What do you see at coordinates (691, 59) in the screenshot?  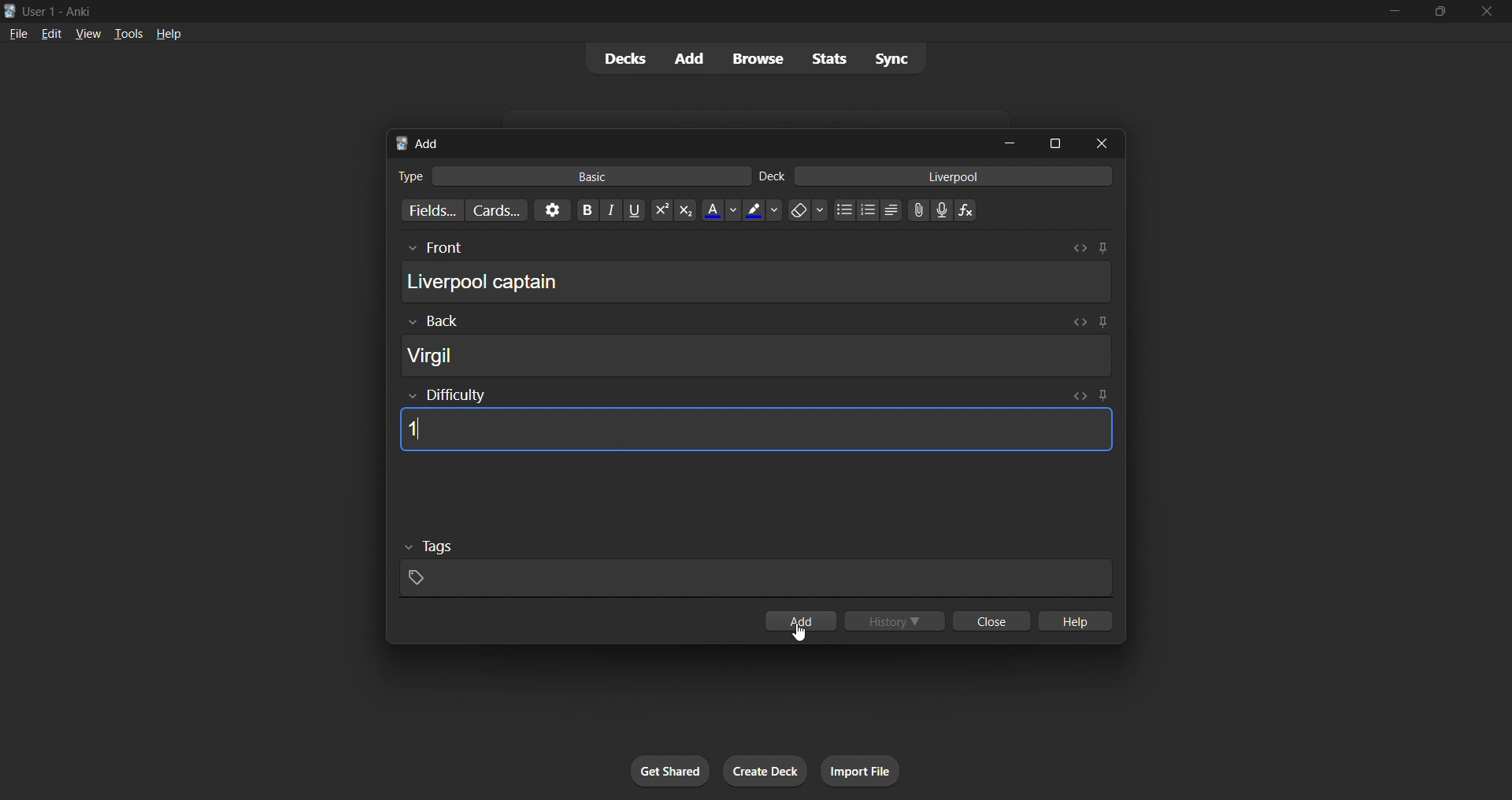 I see `add` at bounding box center [691, 59].